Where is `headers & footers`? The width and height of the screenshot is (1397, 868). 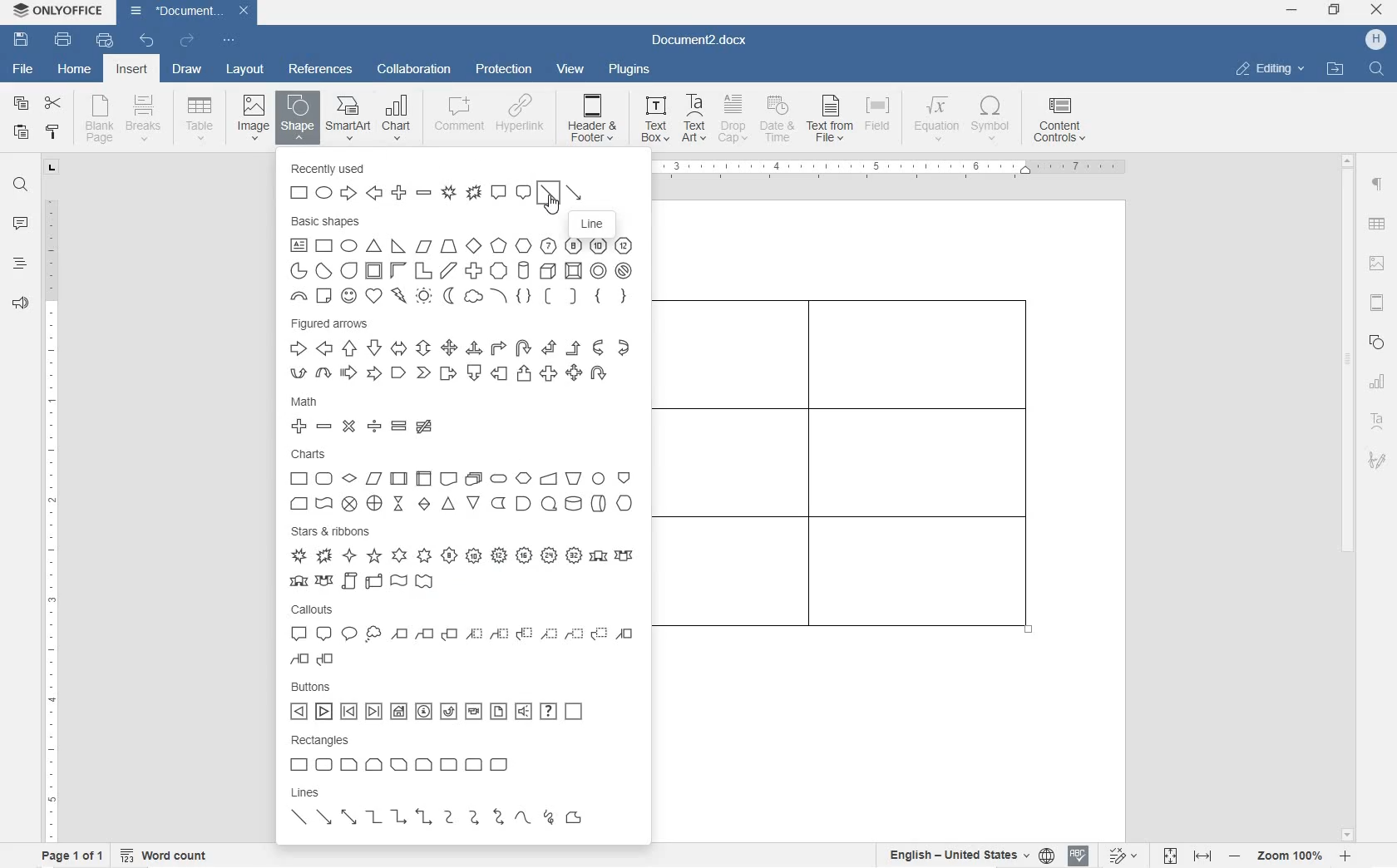 headers & footers is located at coordinates (1378, 304).